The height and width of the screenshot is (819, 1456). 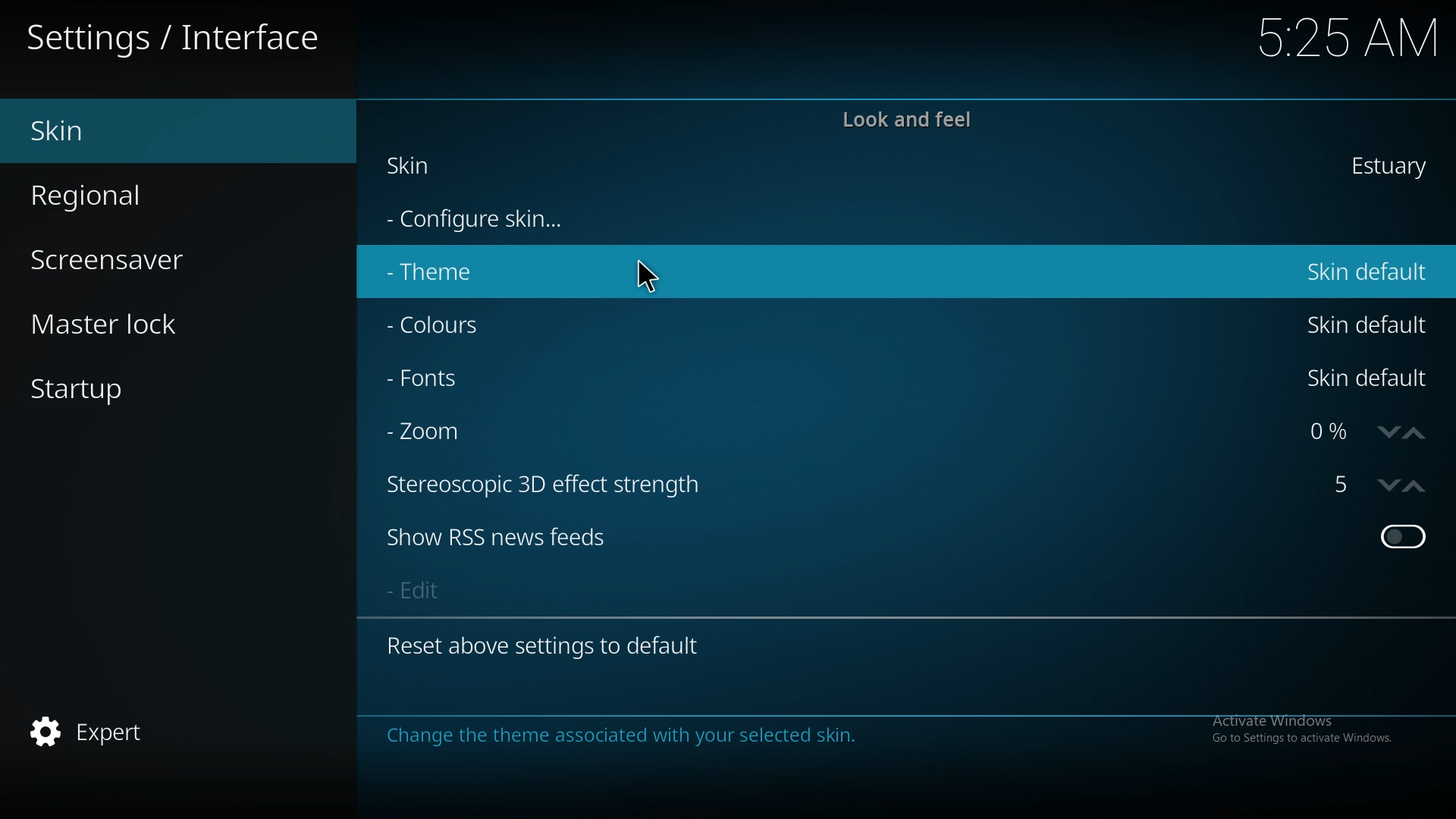 I want to click on skin, so click(x=128, y=133).